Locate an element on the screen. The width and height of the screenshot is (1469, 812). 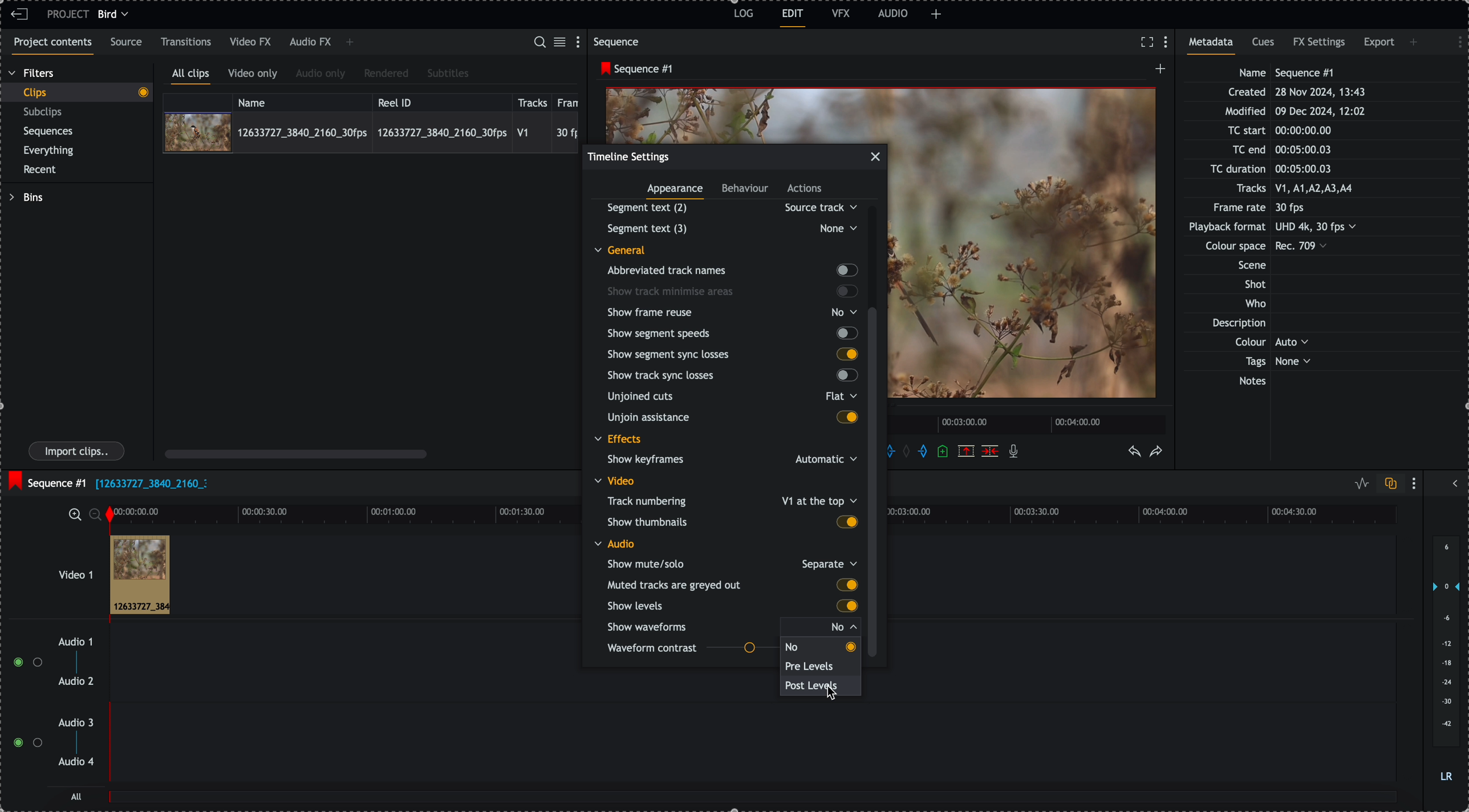
show settings menu is located at coordinates (1168, 43).